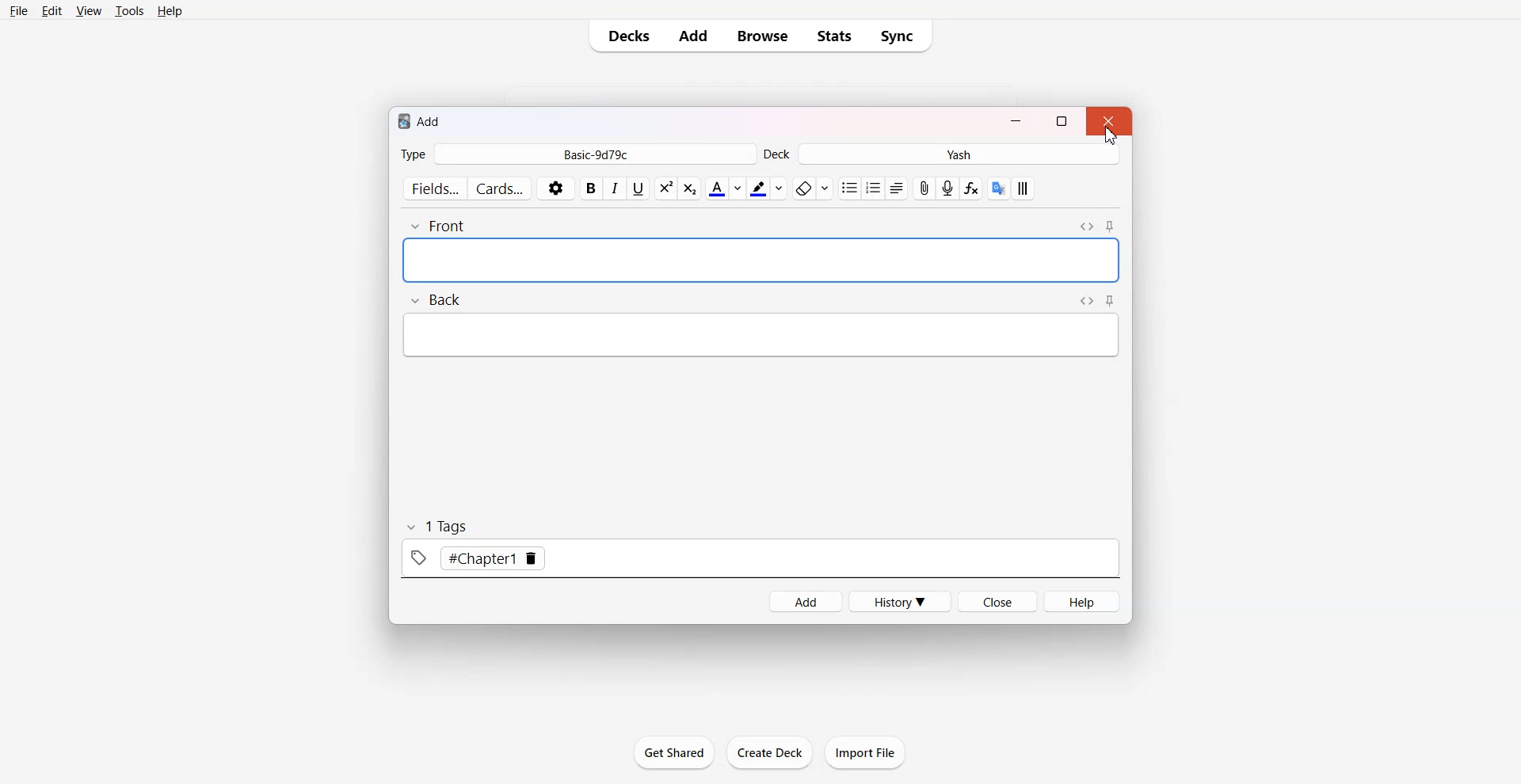 The width and height of the screenshot is (1521, 784). I want to click on Superscript, so click(690, 188).